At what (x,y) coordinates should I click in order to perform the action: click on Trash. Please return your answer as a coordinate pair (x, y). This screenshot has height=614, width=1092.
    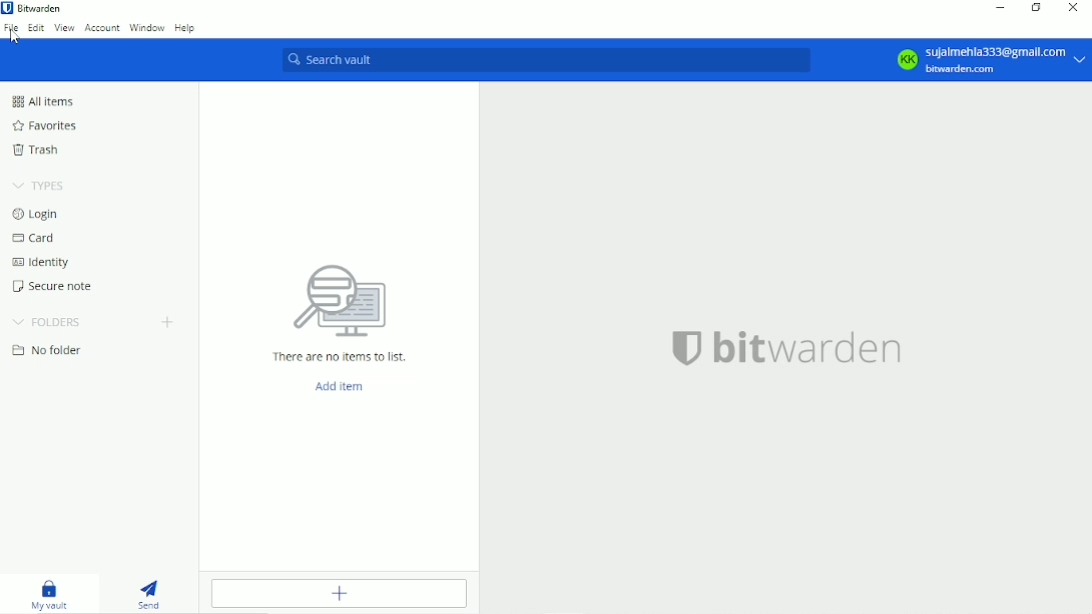
    Looking at the image, I should click on (37, 148).